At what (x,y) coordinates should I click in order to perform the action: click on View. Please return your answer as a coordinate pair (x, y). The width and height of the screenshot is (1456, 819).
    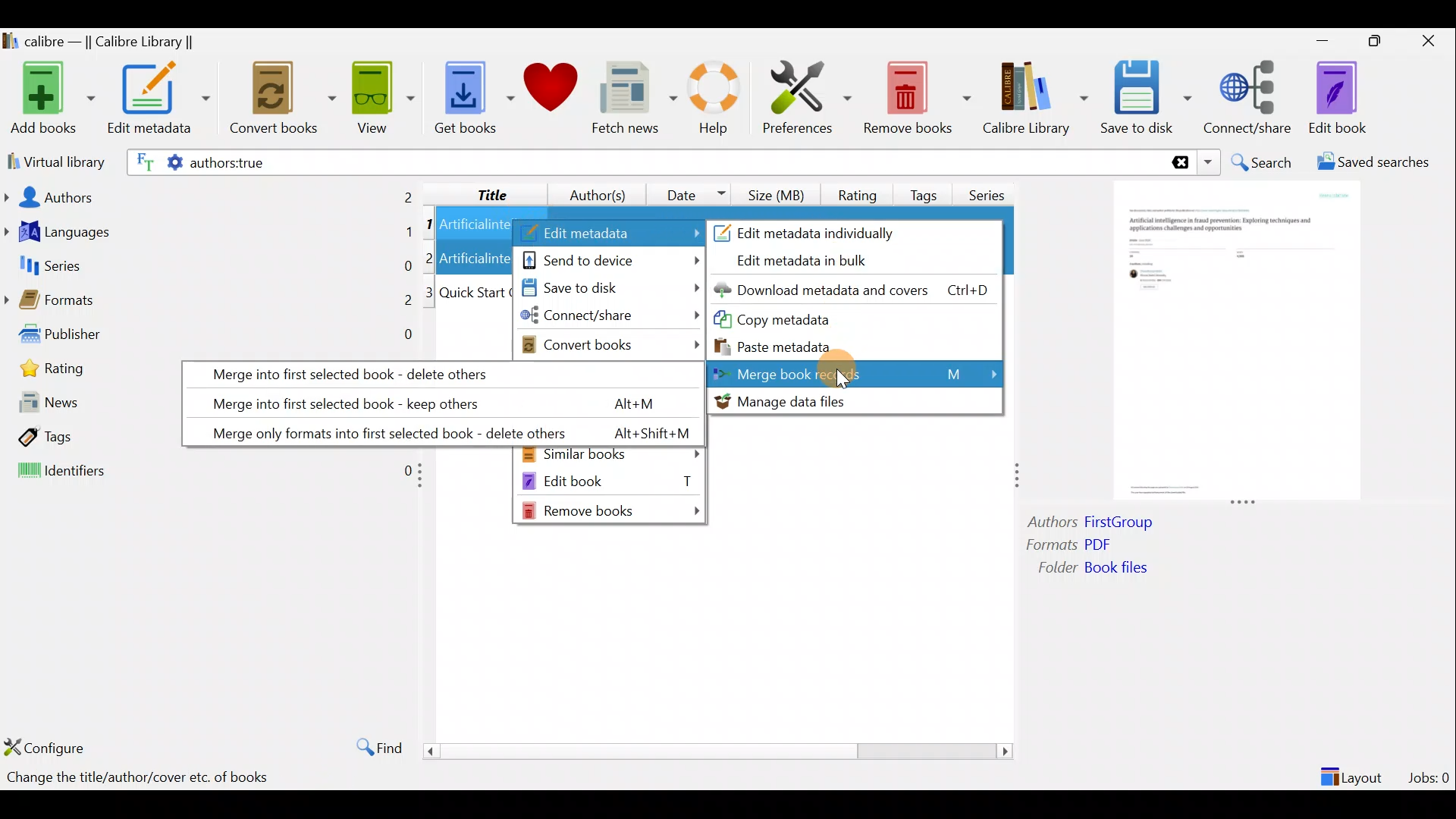
    Looking at the image, I should click on (381, 96).